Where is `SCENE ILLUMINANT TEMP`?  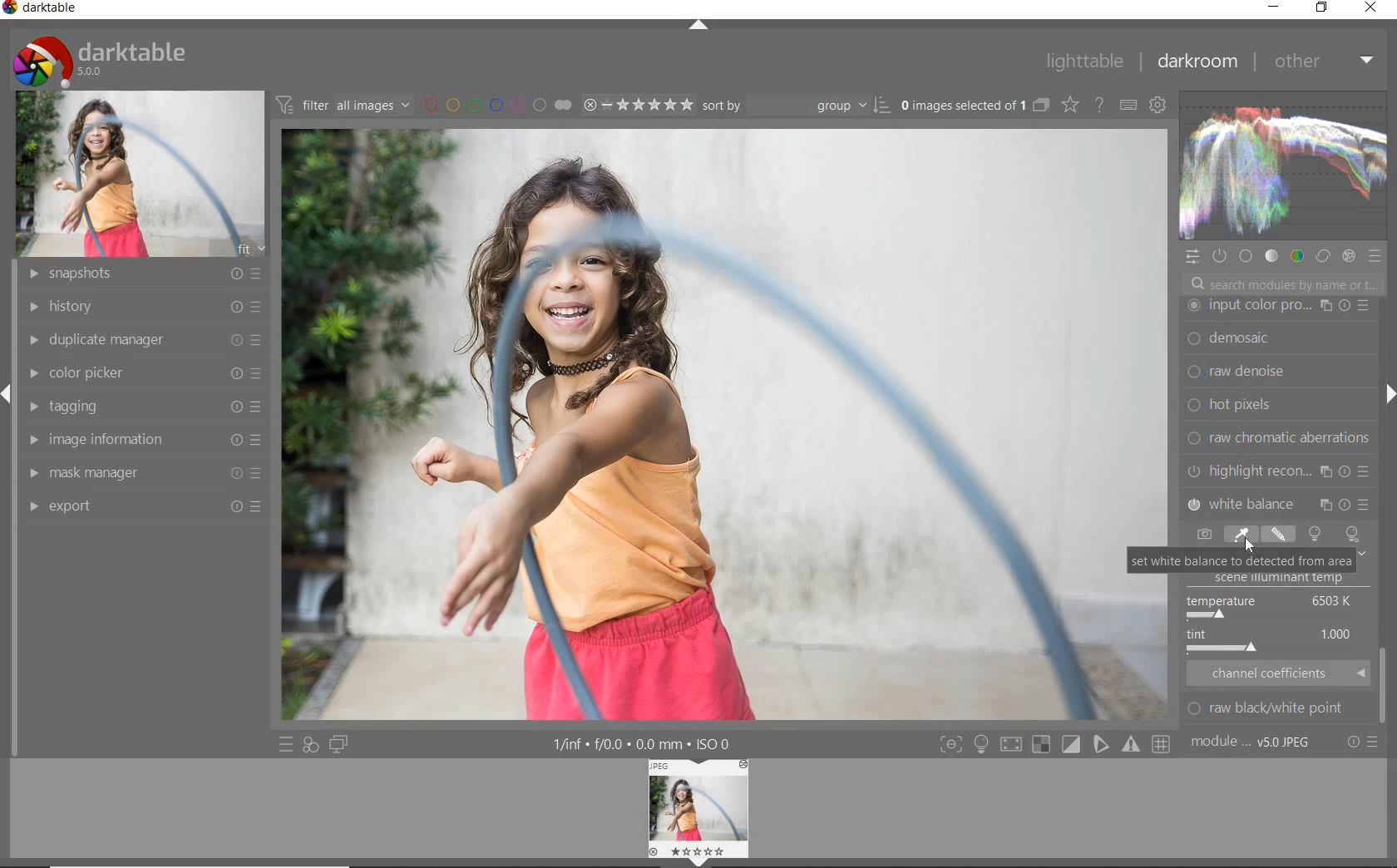
SCENE ILLUMINANT TEMP is located at coordinates (1286, 580).